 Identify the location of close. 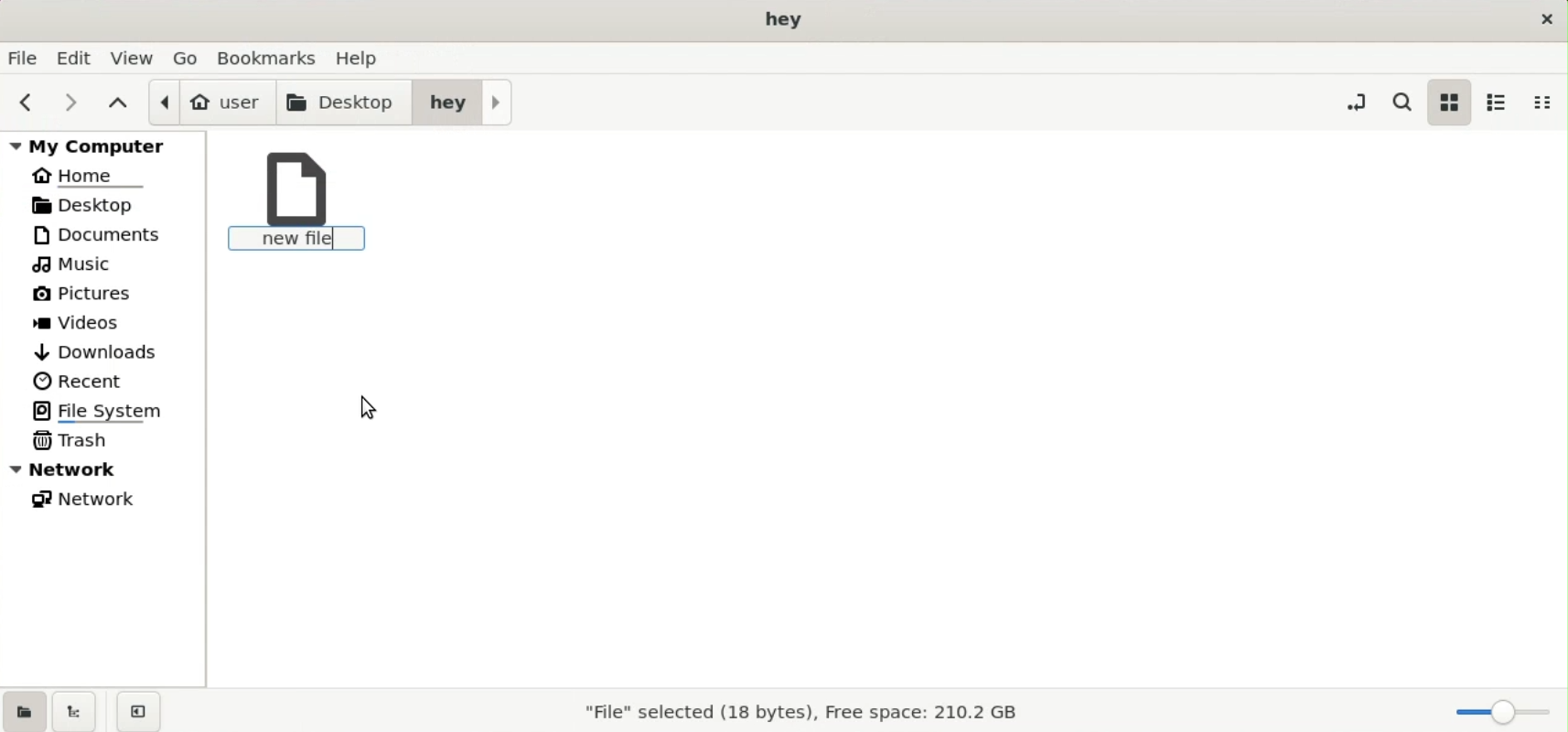
(1543, 18).